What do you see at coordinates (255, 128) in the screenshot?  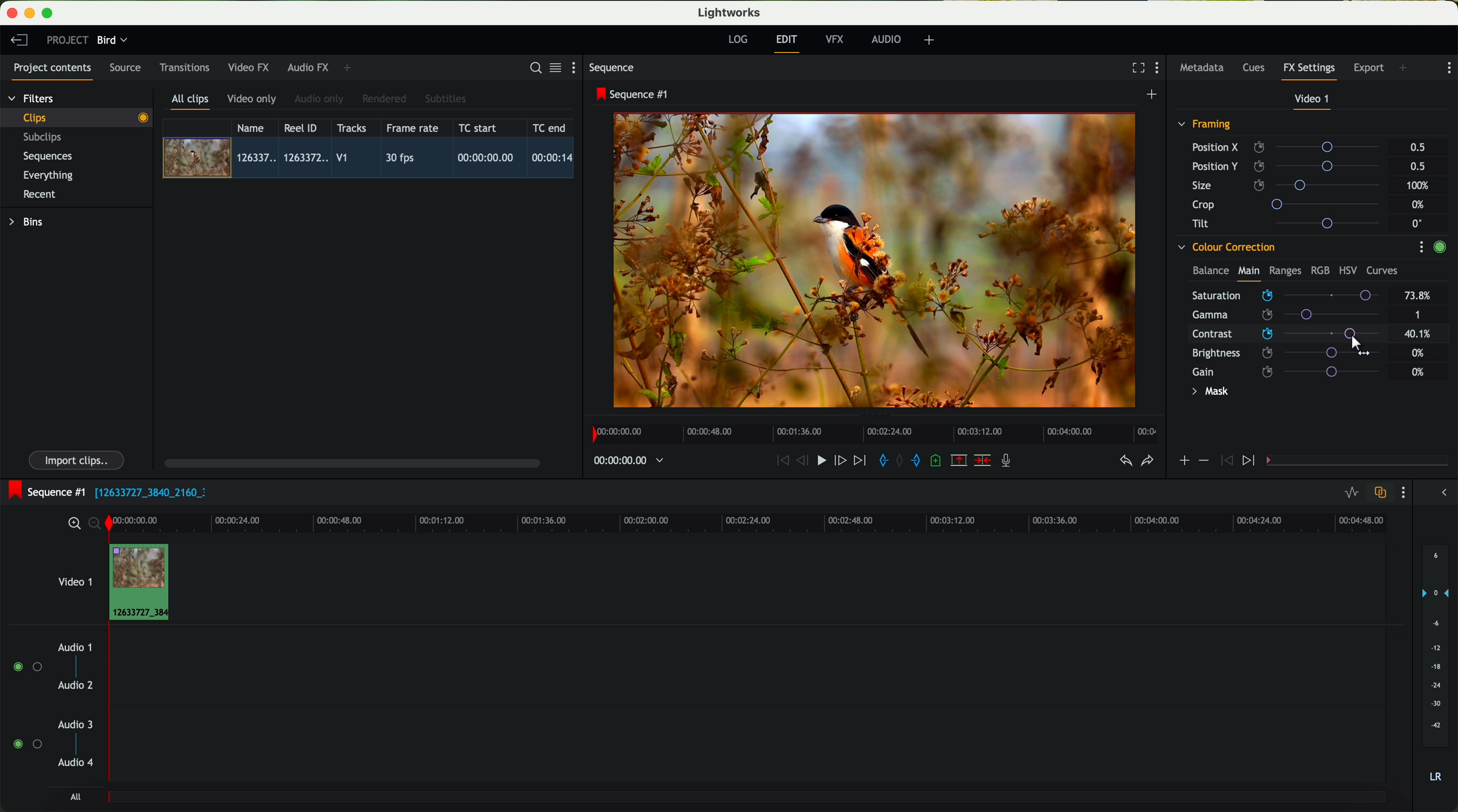 I see `name` at bounding box center [255, 128].